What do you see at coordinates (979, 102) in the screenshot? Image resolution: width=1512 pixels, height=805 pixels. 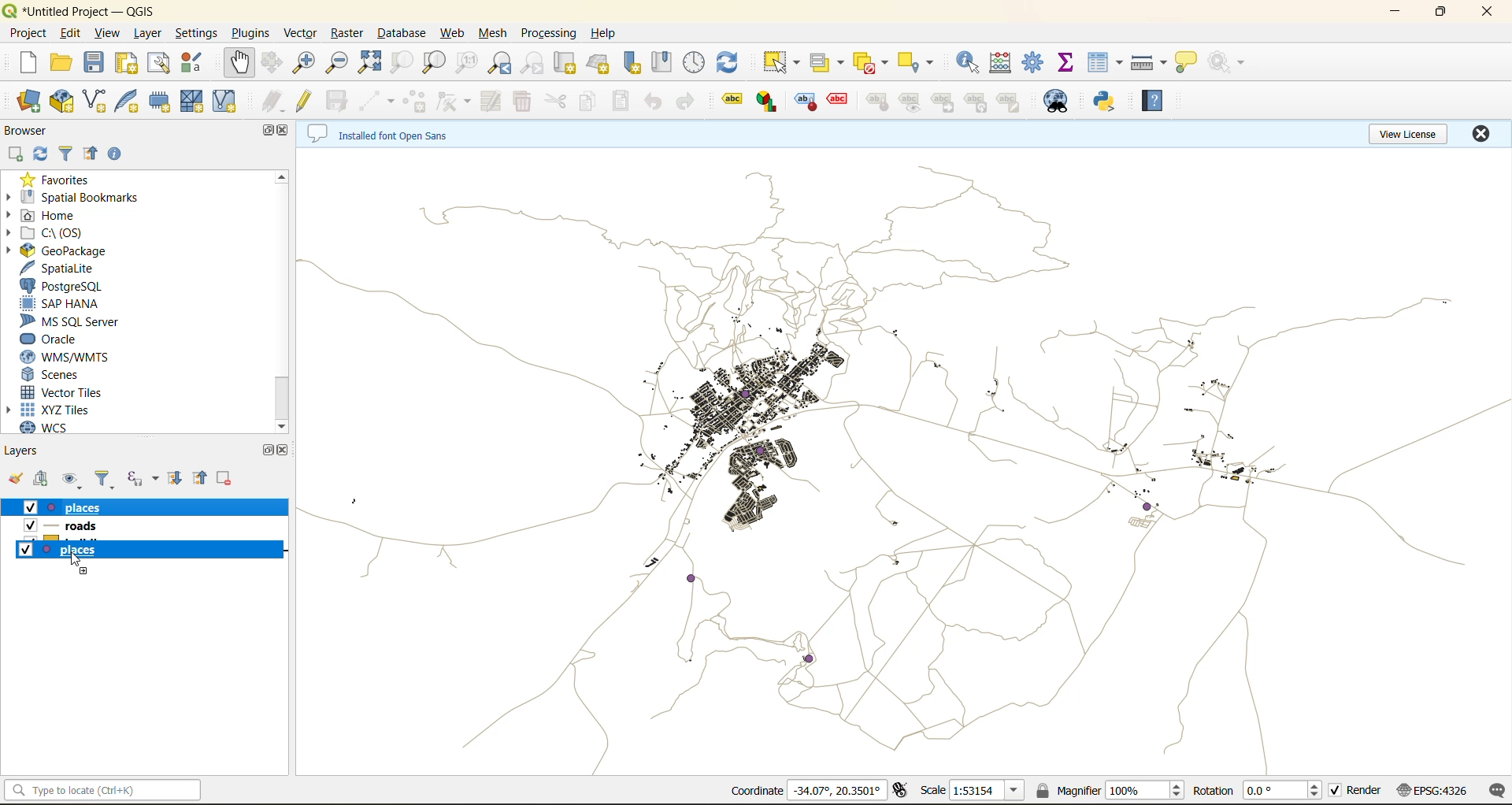 I see `rotate a label` at bounding box center [979, 102].